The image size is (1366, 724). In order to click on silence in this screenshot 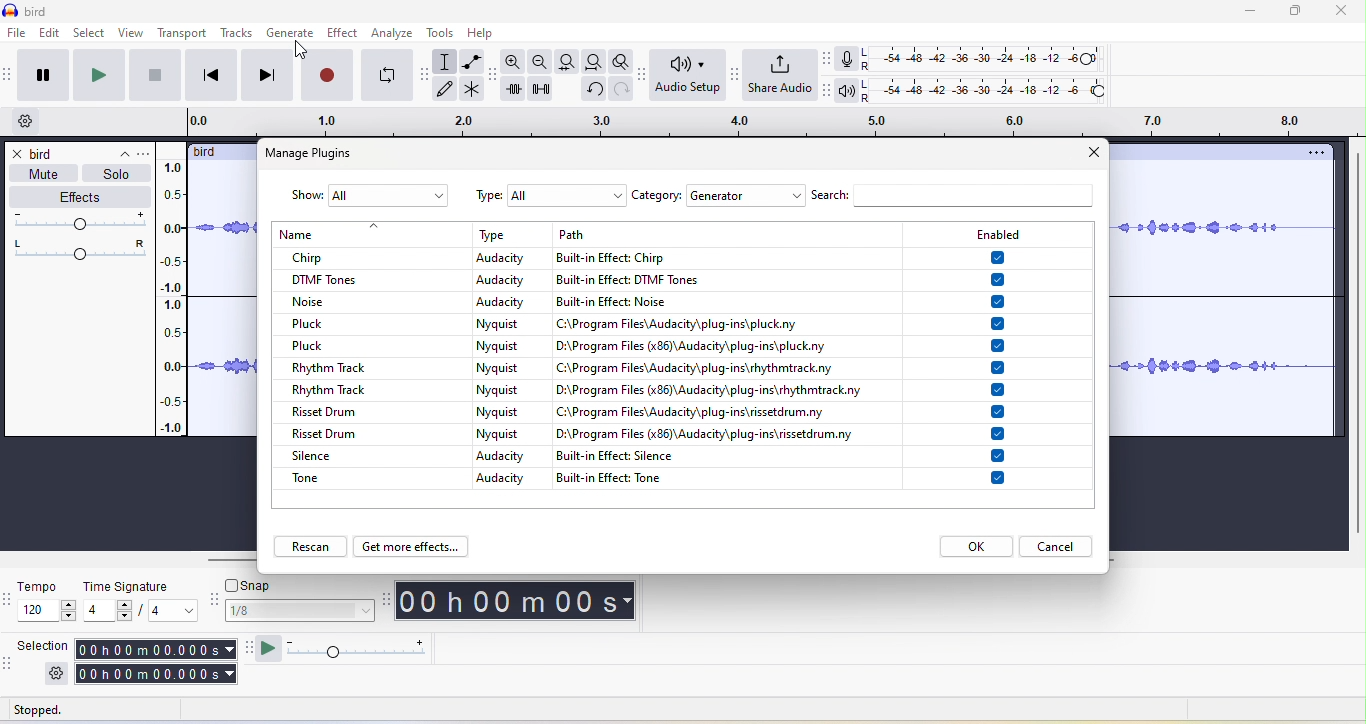, I will do `click(333, 454)`.